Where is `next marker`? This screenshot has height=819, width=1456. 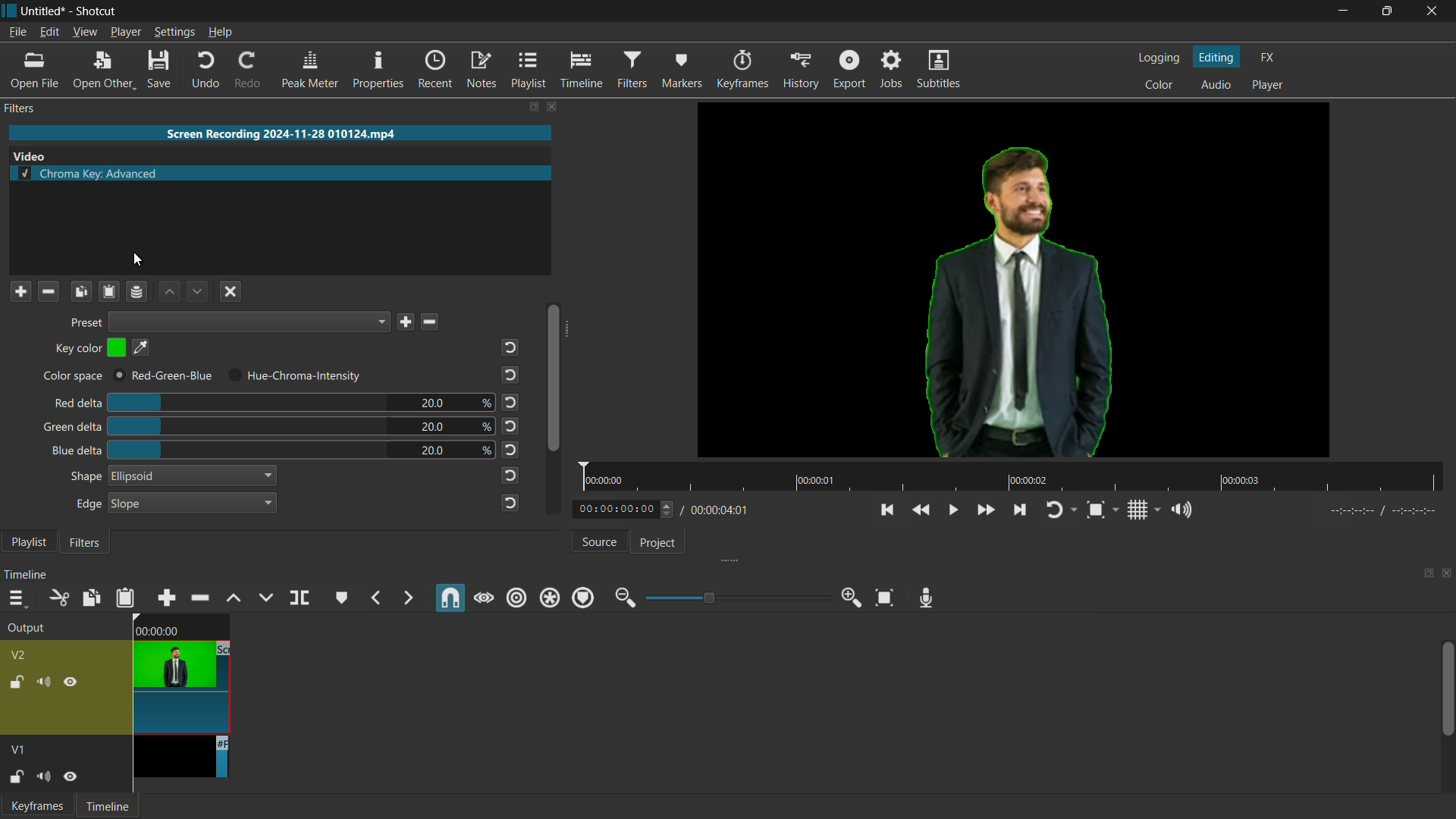 next marker is located at coordinates (407, 598).